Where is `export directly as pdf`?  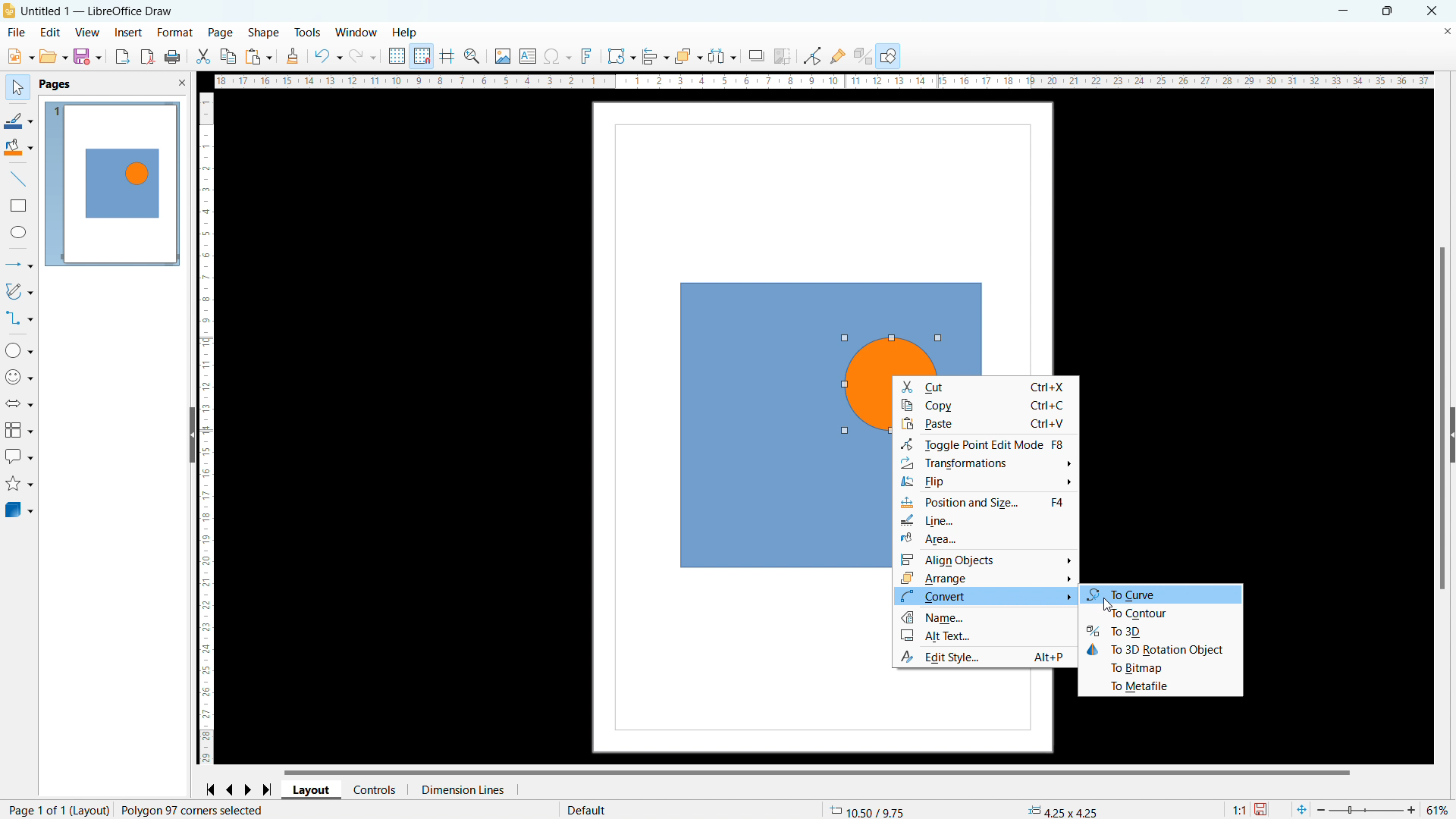 export directly as pdf is located at coordinates (146, 56).